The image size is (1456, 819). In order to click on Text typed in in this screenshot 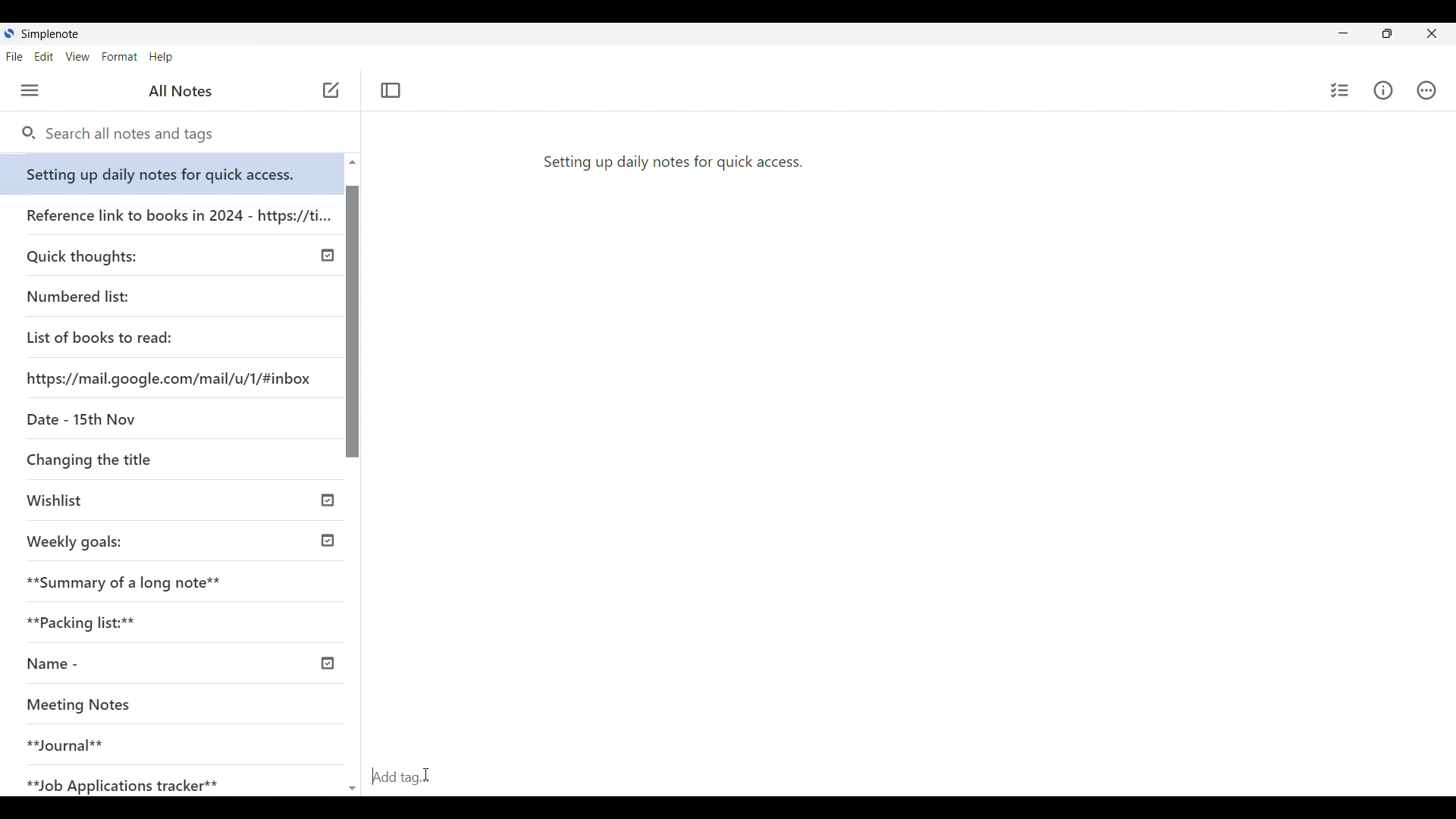, I will do `click(672, 160)`.